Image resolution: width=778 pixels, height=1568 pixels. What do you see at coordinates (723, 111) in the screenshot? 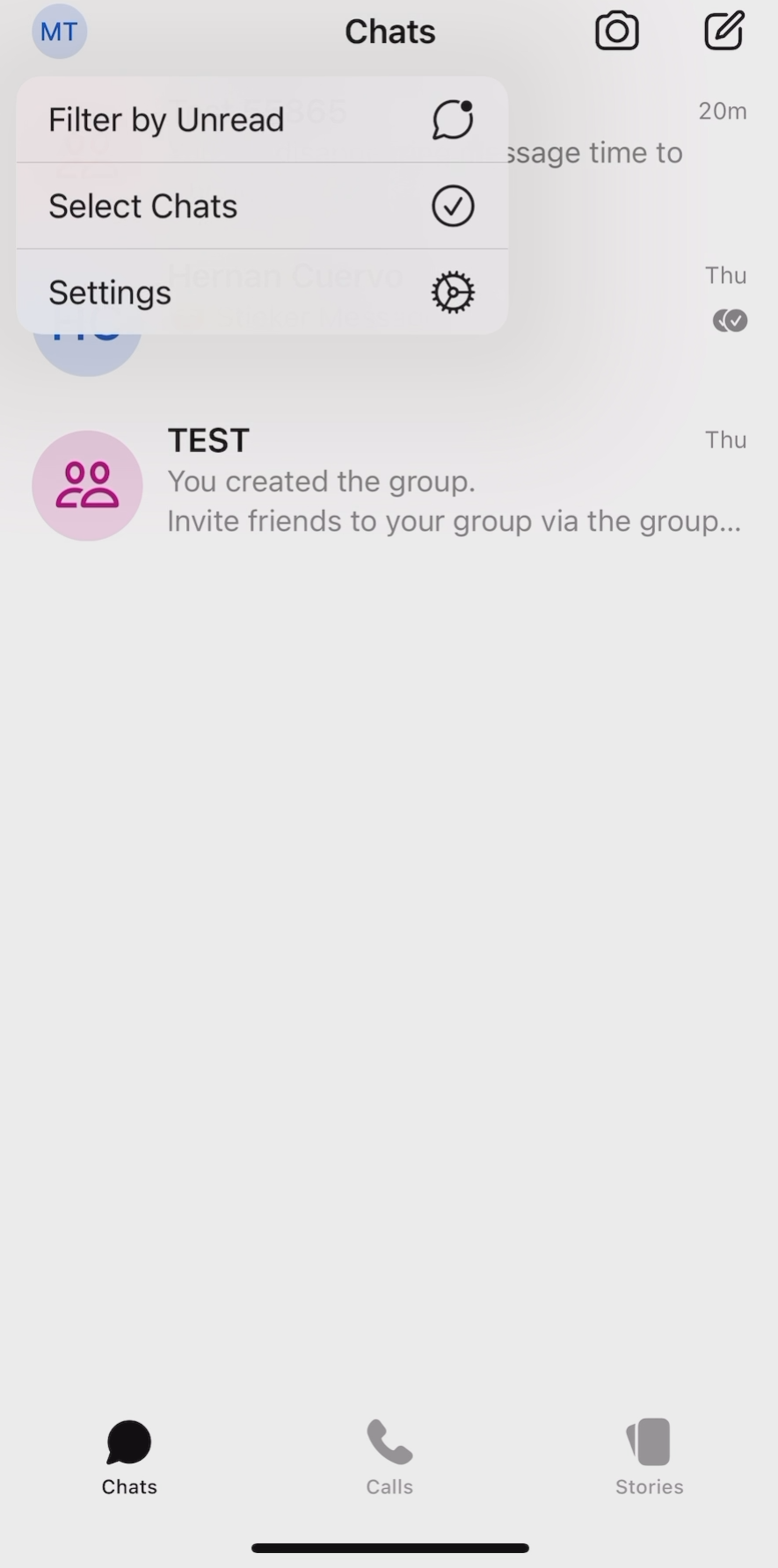
I see `20m` at bounding box center [723, 111].